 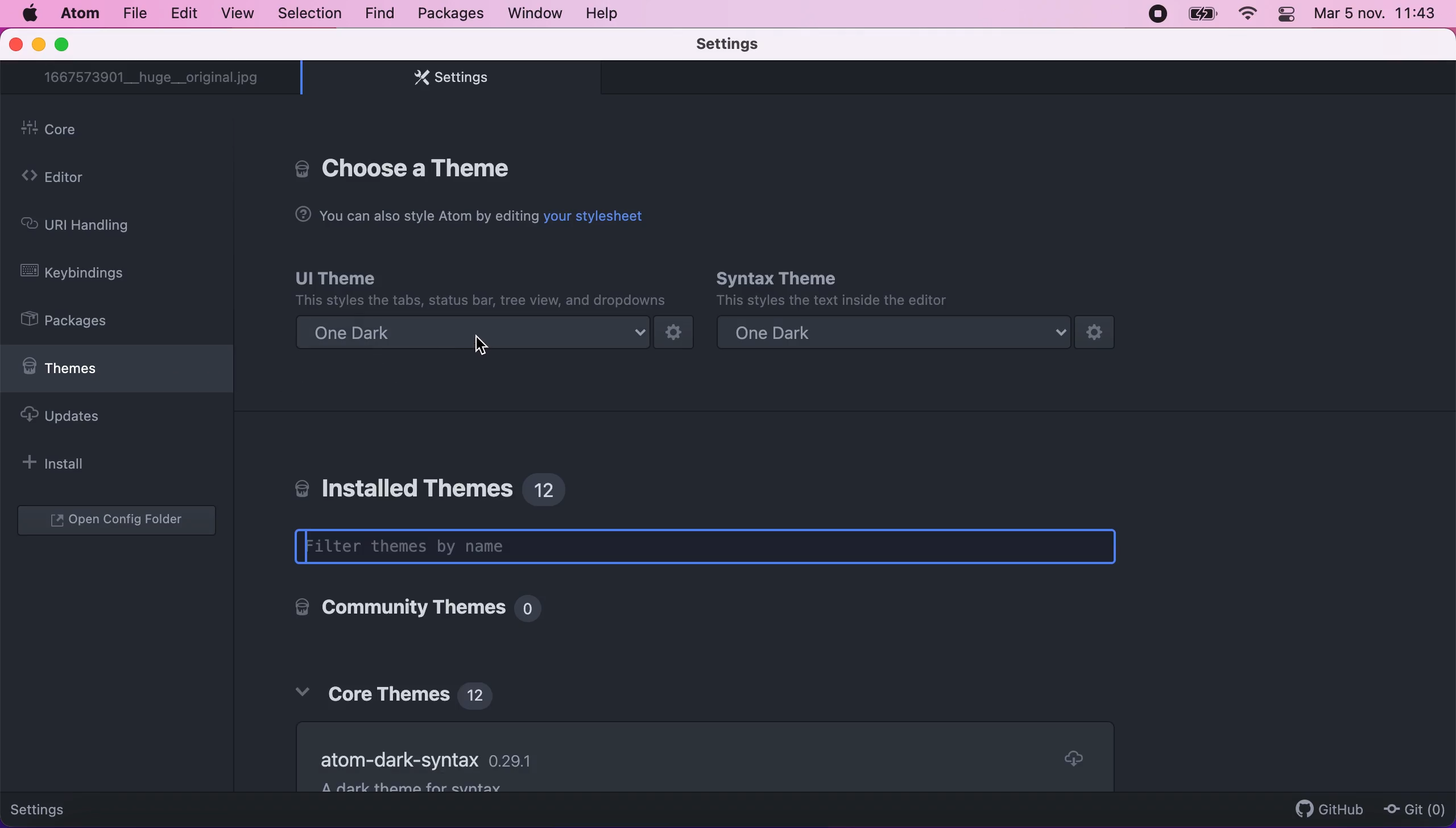 What do you see at coordinates (1248, 15) in the screenshot?
I see `wifi` at bounding box center [1248, 15].